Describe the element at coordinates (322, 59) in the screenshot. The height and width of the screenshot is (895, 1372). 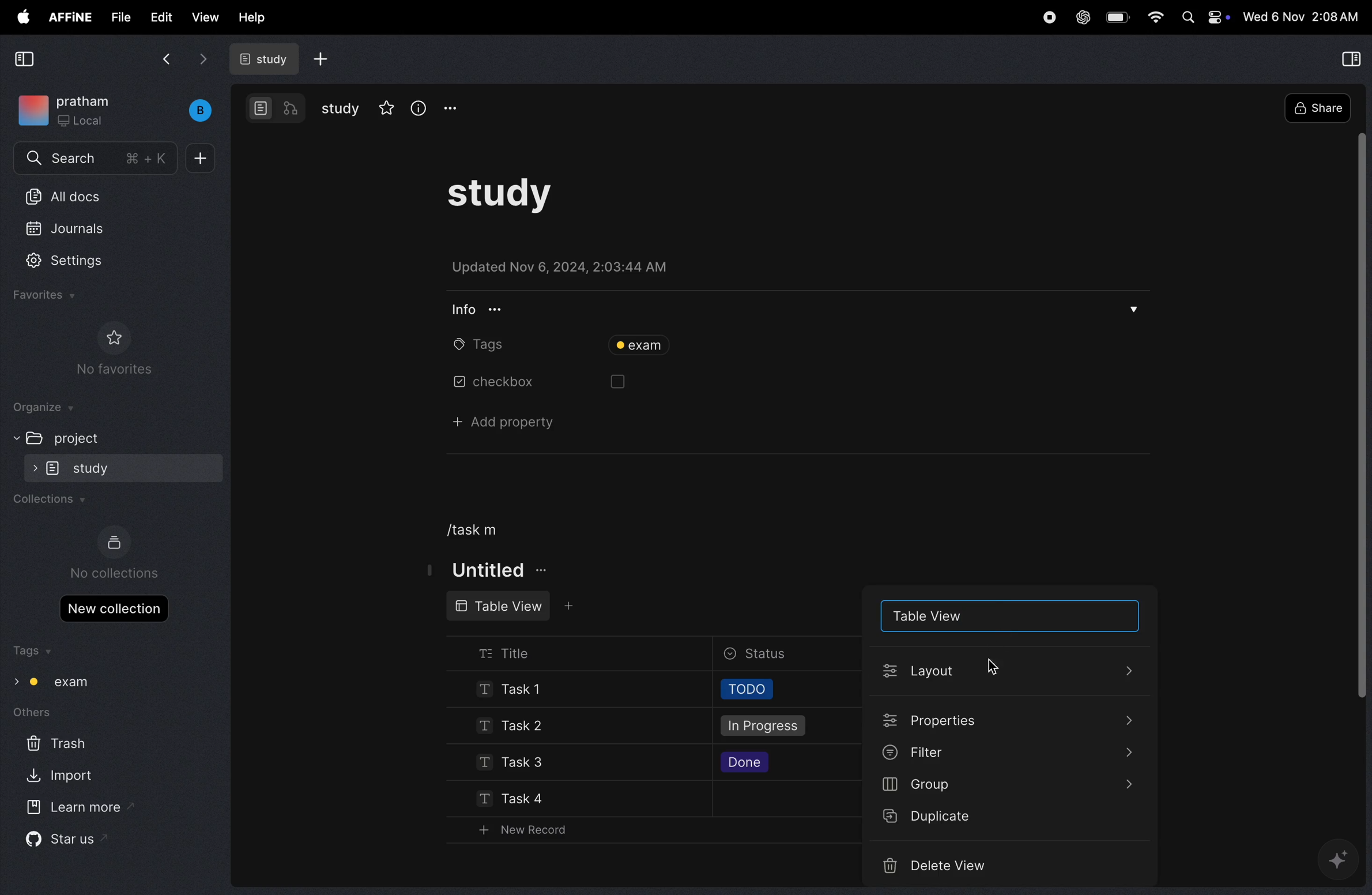
I see `add` at that location.